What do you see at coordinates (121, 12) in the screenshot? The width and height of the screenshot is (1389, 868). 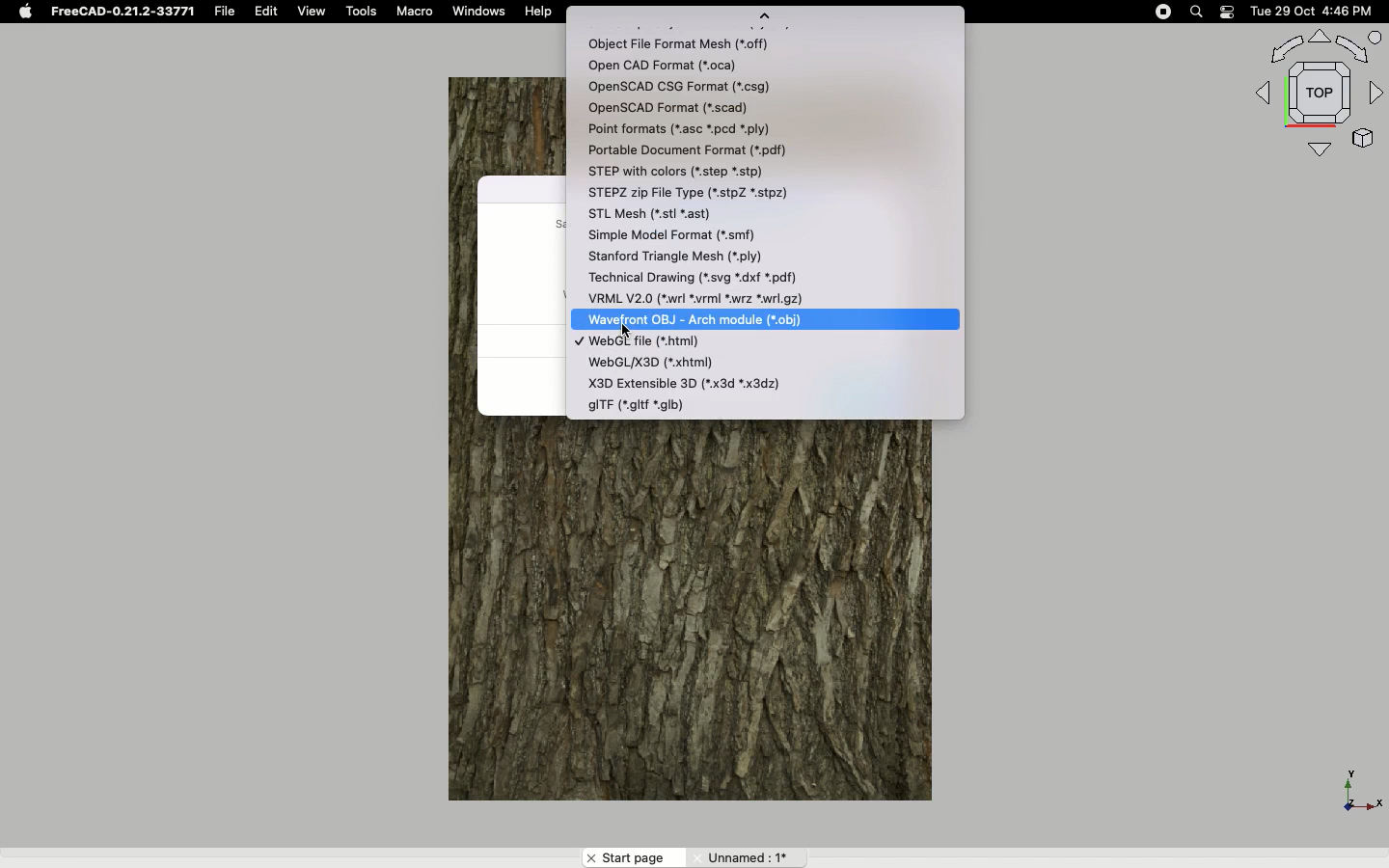 I see `FreeCAD-0.21.2-33771` at bounding box center [121, 12].